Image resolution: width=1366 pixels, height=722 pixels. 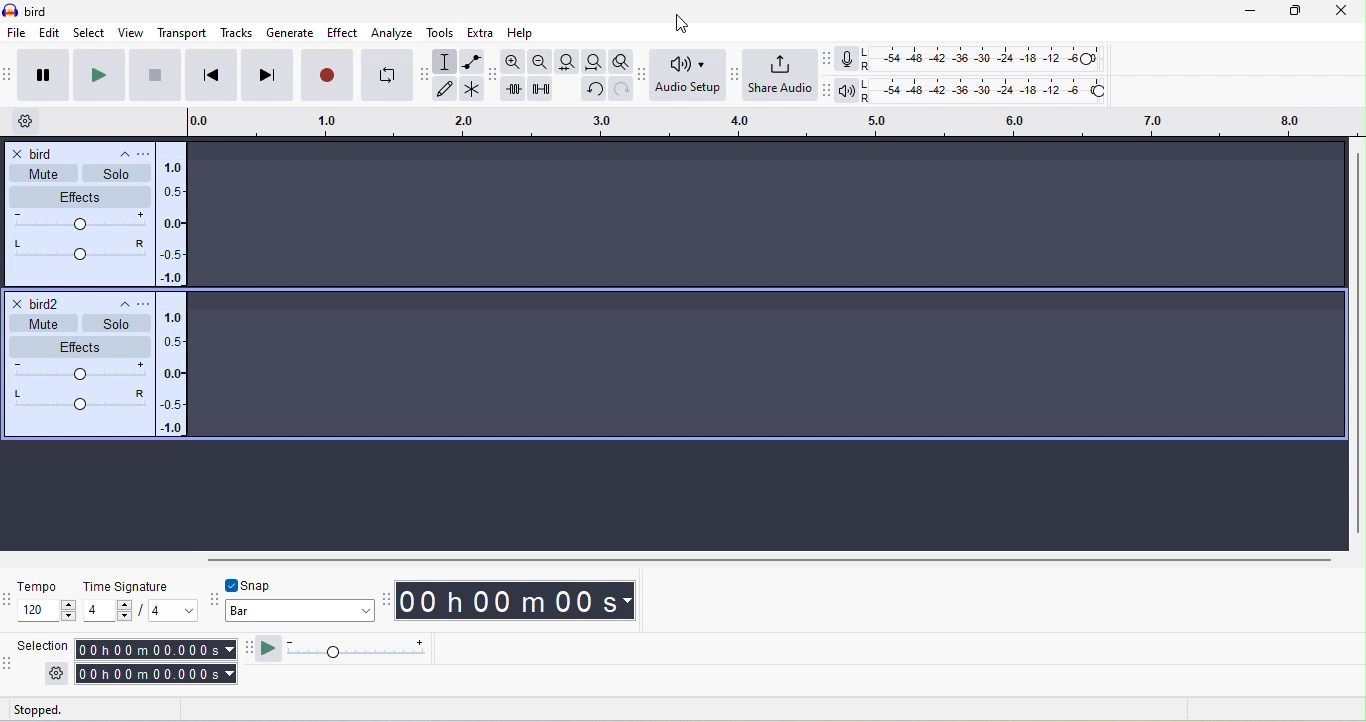 I want to click on effects, so click(x=81, y=196).